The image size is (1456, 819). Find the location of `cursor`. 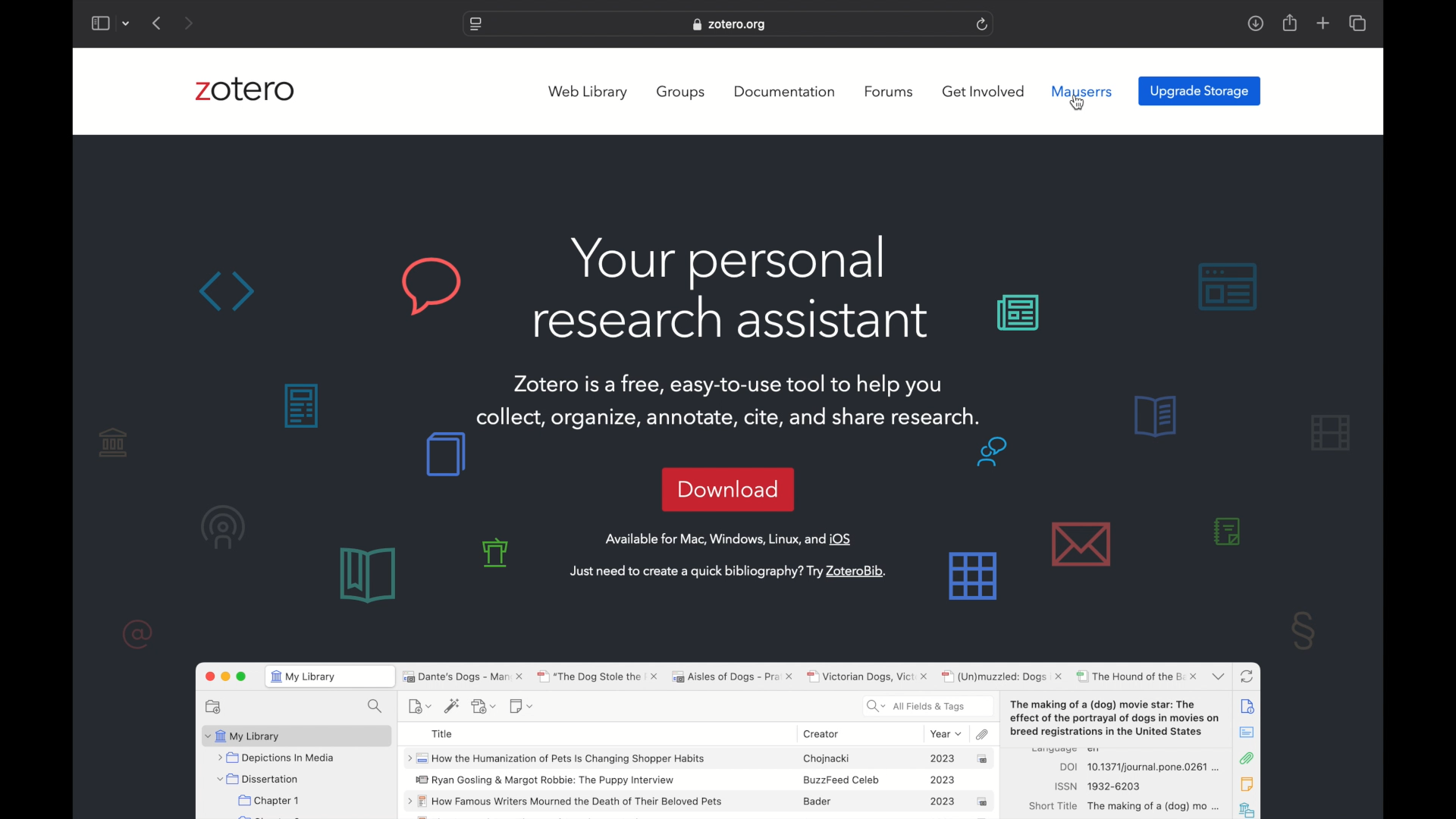

cursor is located at coordinates (1079, 102).